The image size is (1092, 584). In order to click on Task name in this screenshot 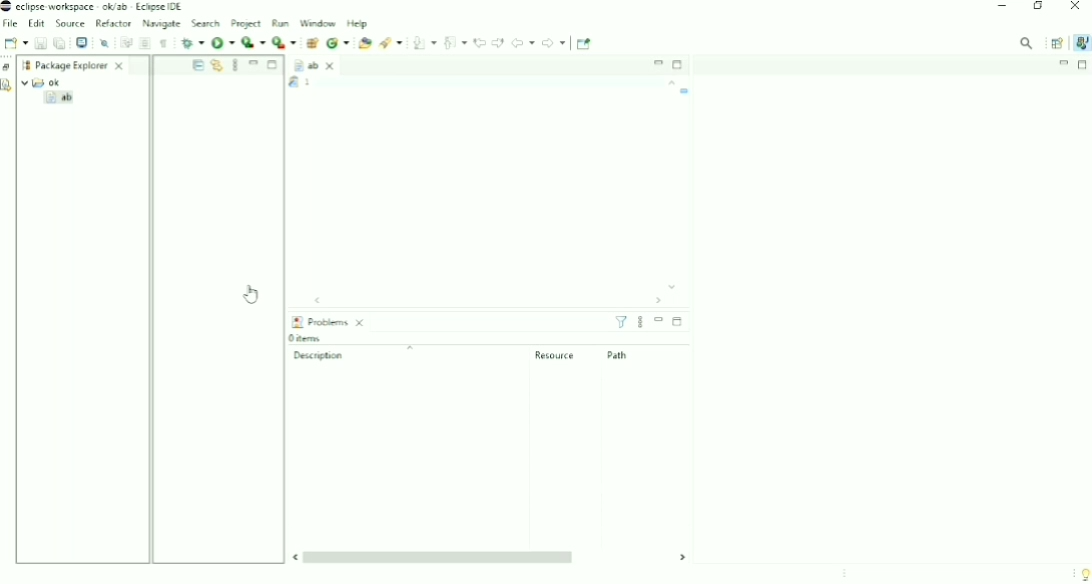, I will do `click(686, 91)`.